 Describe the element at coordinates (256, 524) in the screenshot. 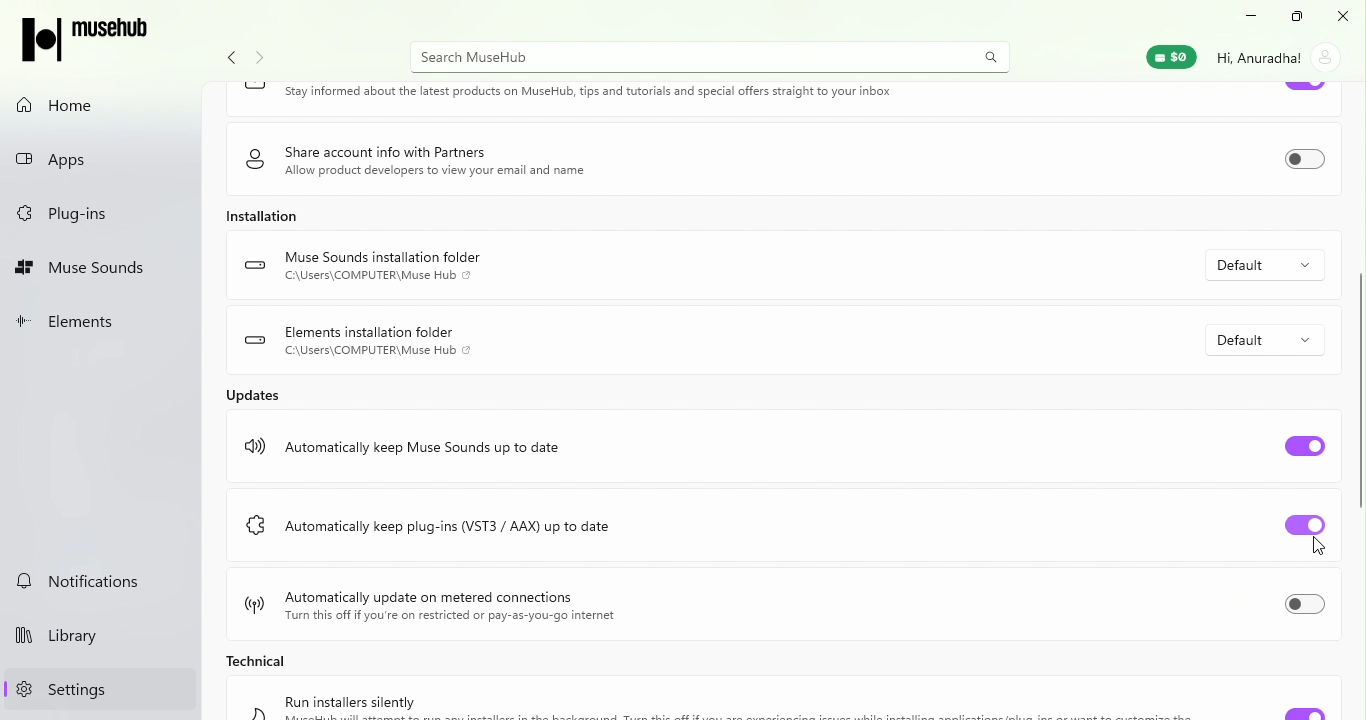

I see `logo` at that location.